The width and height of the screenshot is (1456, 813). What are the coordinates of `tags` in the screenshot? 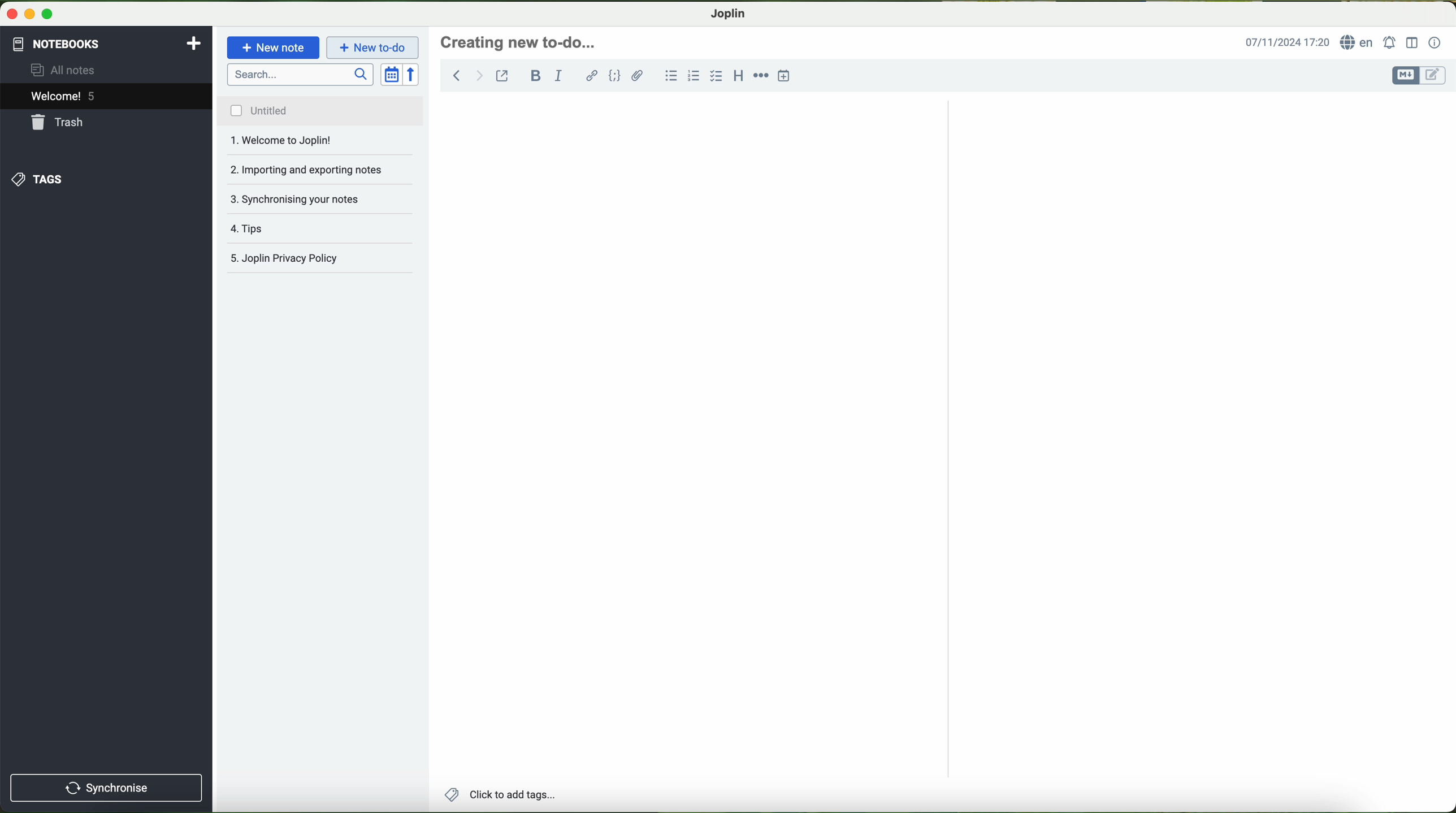 It's located at (36, 179).